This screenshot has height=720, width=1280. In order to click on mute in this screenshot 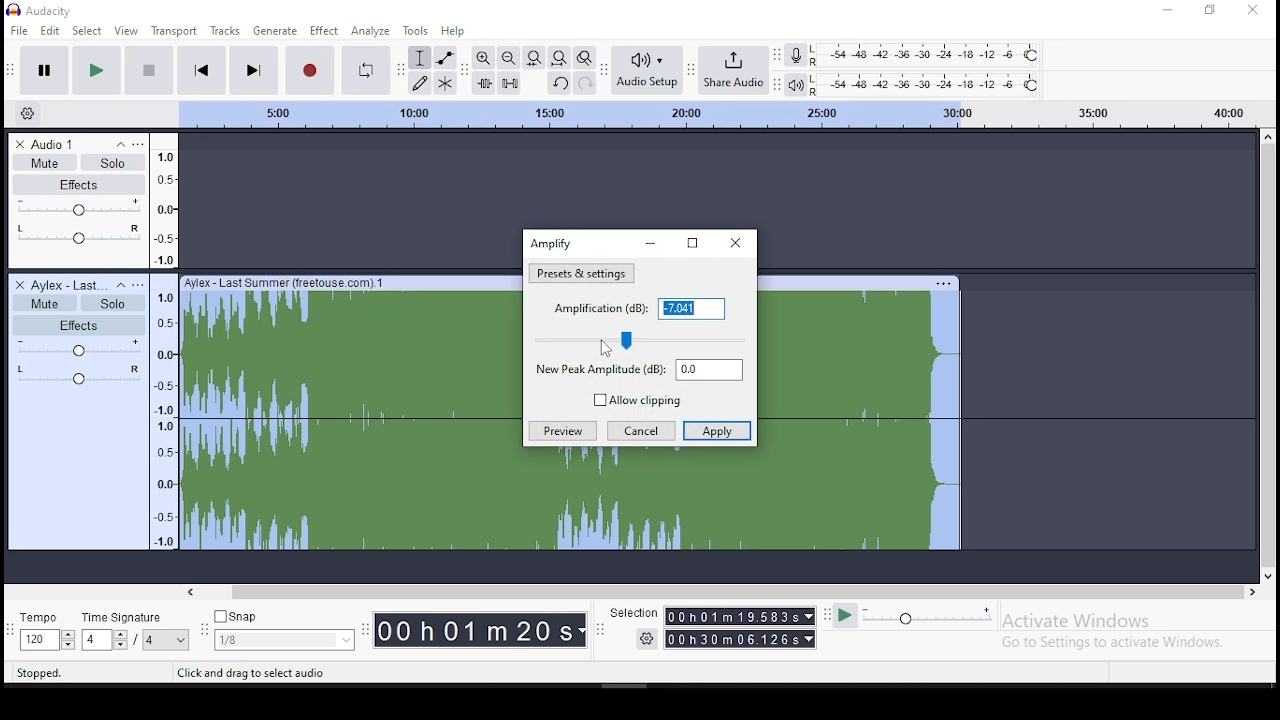, I will do `click(43, 302)`.